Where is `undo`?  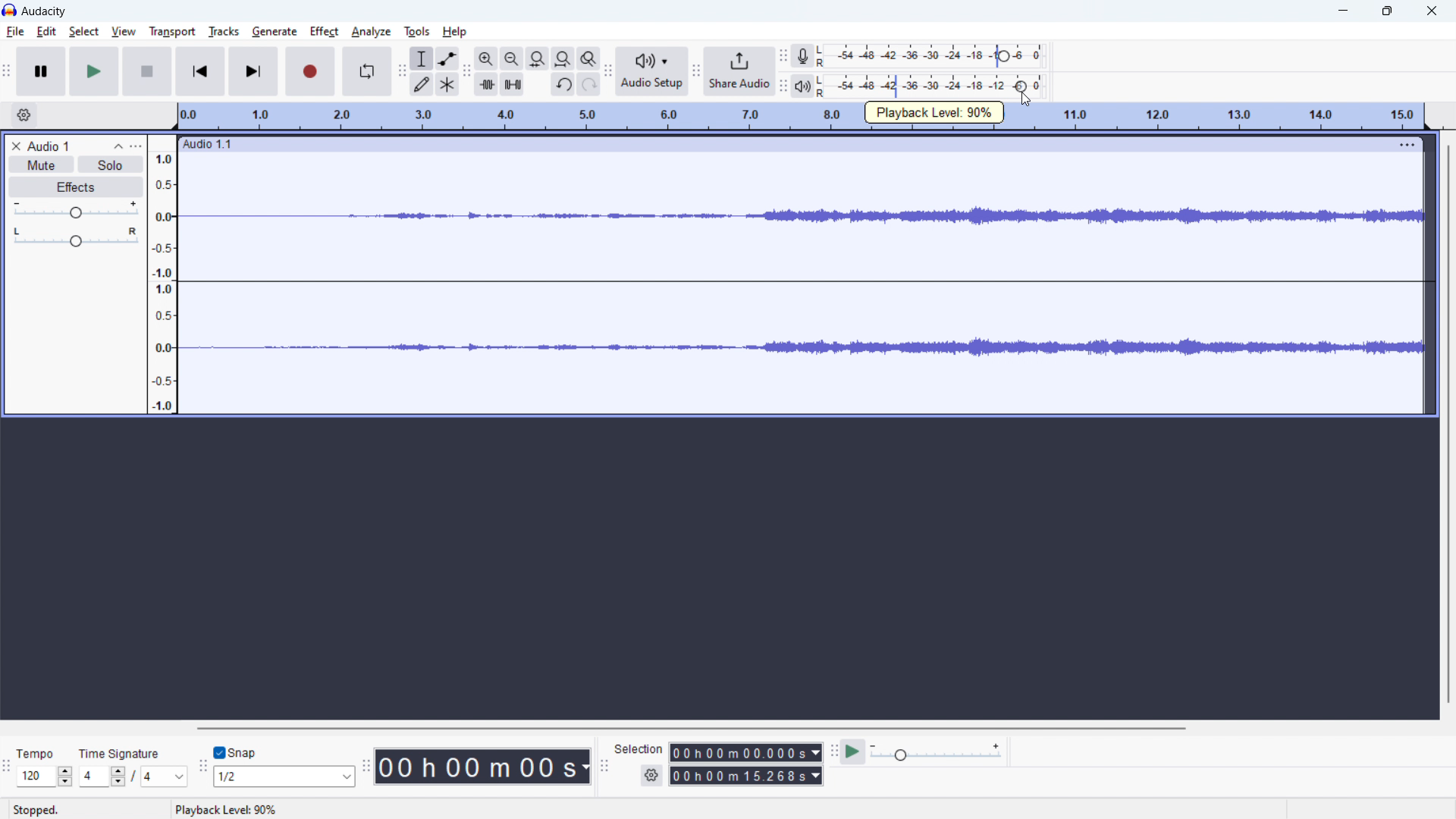 undo is located at coordinates (562, 85).